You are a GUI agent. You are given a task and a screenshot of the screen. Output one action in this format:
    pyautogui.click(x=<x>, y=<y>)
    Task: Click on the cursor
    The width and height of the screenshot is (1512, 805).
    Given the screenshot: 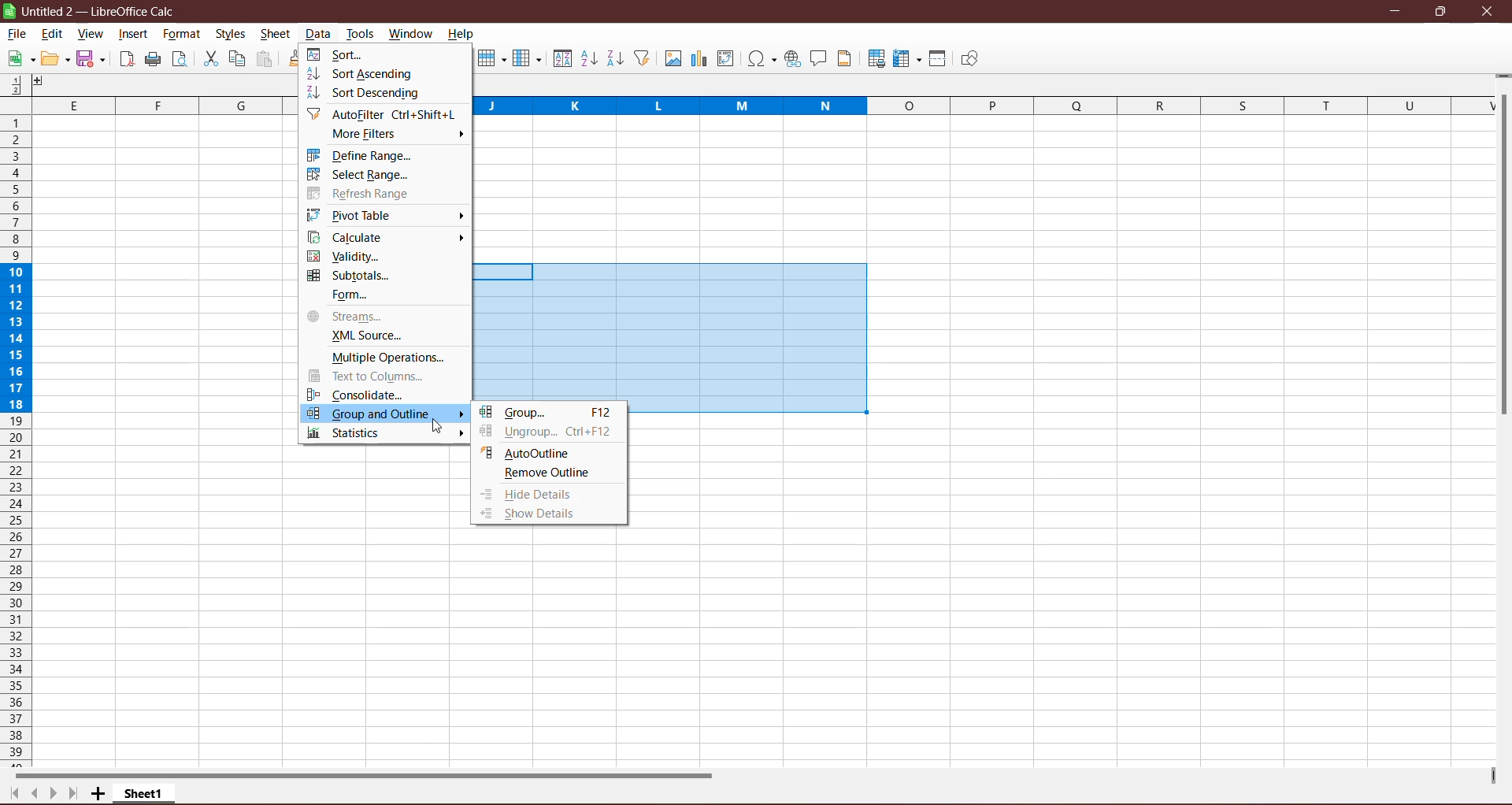 What is the action you would take?
    pyautogui.click(x=432, y=427)
    